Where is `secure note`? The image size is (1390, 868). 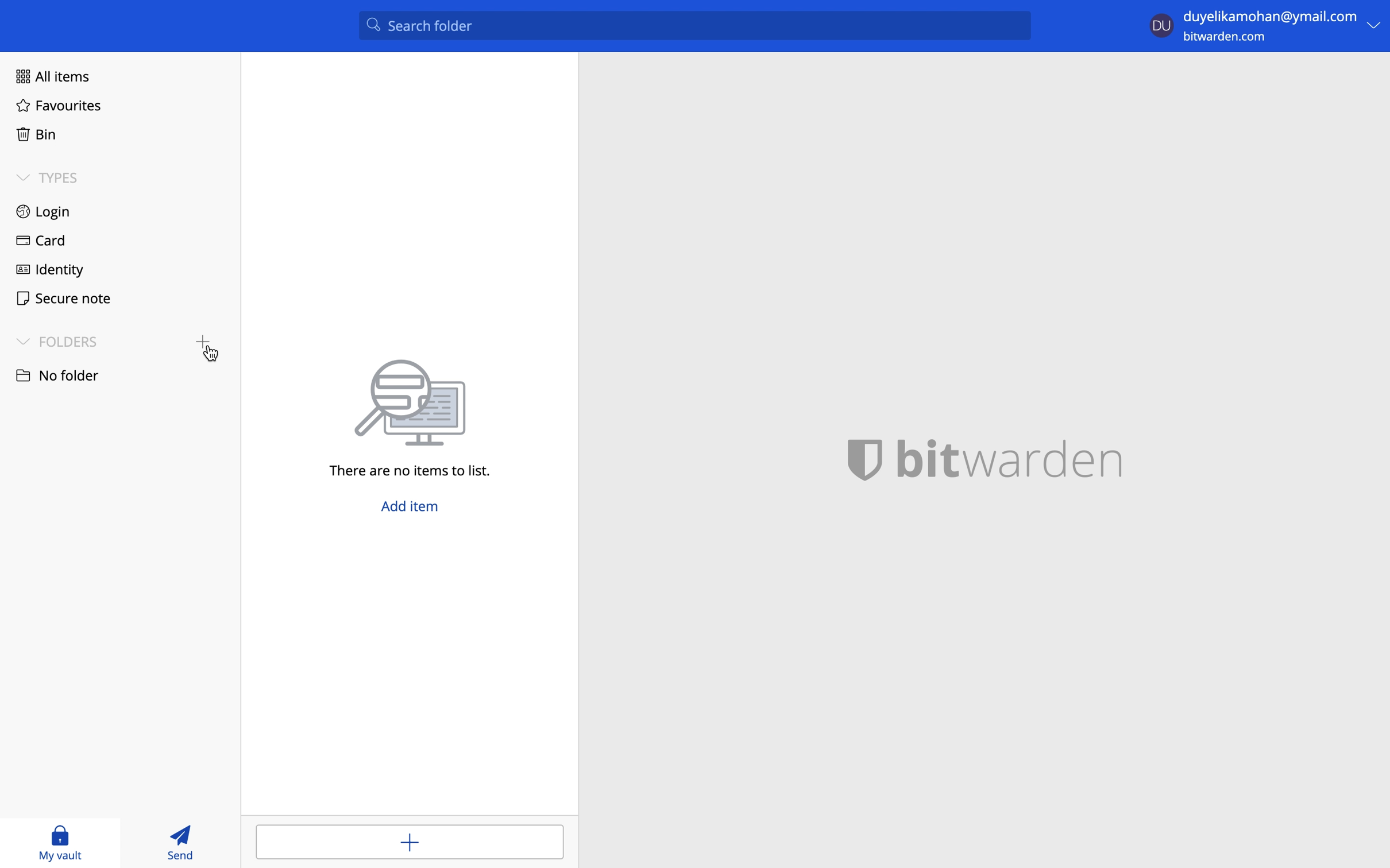
secure note is located at coordinates (59, 297).